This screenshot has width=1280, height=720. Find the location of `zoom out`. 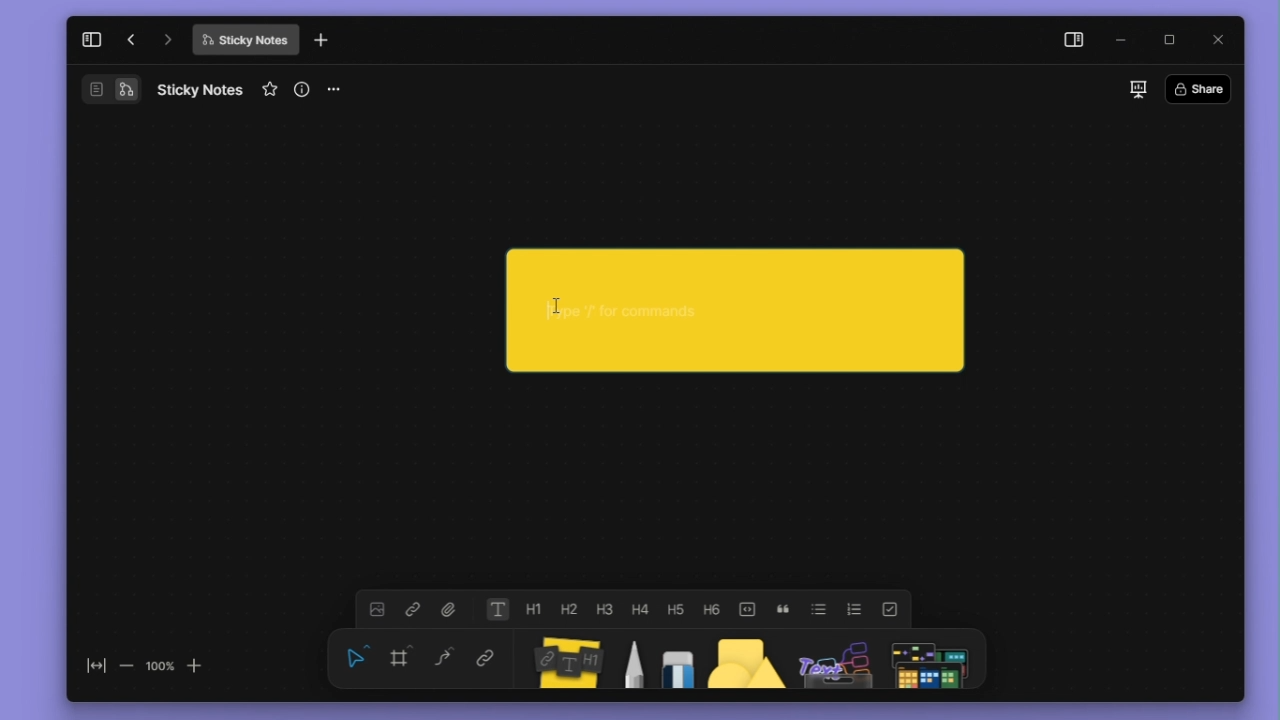

zoom out is located at coordinates (126, 661).